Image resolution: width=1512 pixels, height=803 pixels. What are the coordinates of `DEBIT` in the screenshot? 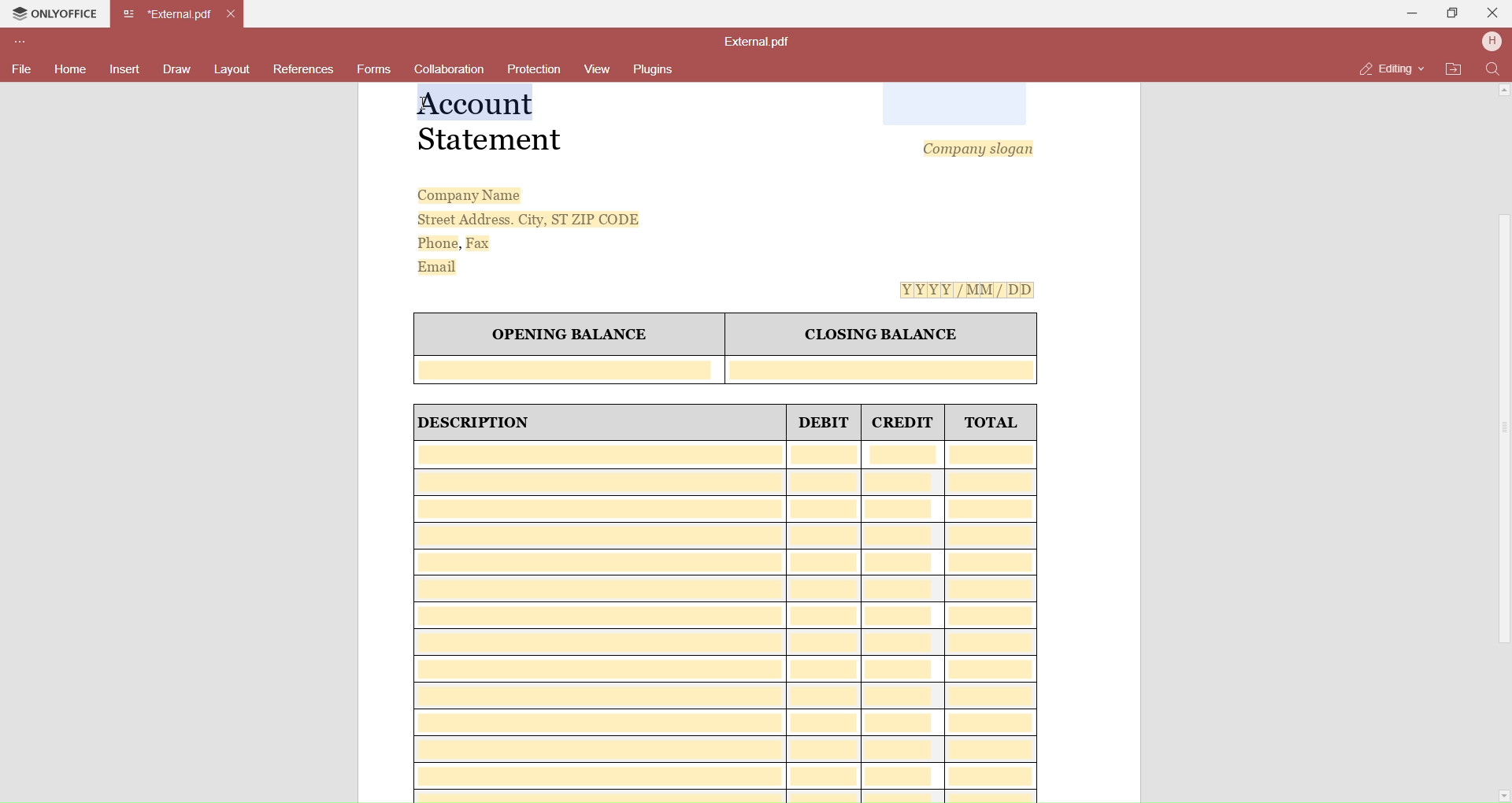 It's located at (826, 422).